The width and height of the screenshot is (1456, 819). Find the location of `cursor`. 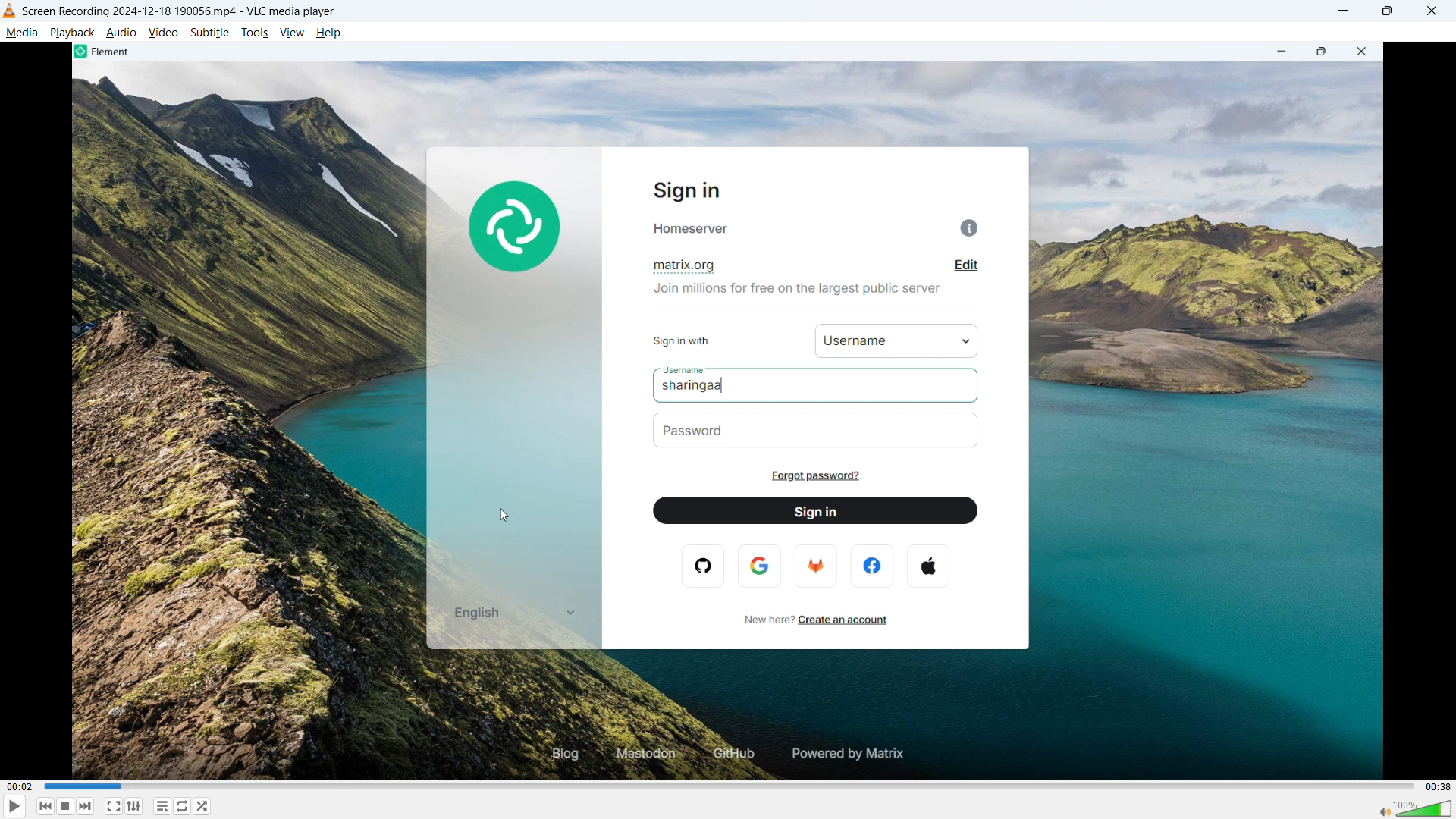

cursor is located at coordinates (507, 516).